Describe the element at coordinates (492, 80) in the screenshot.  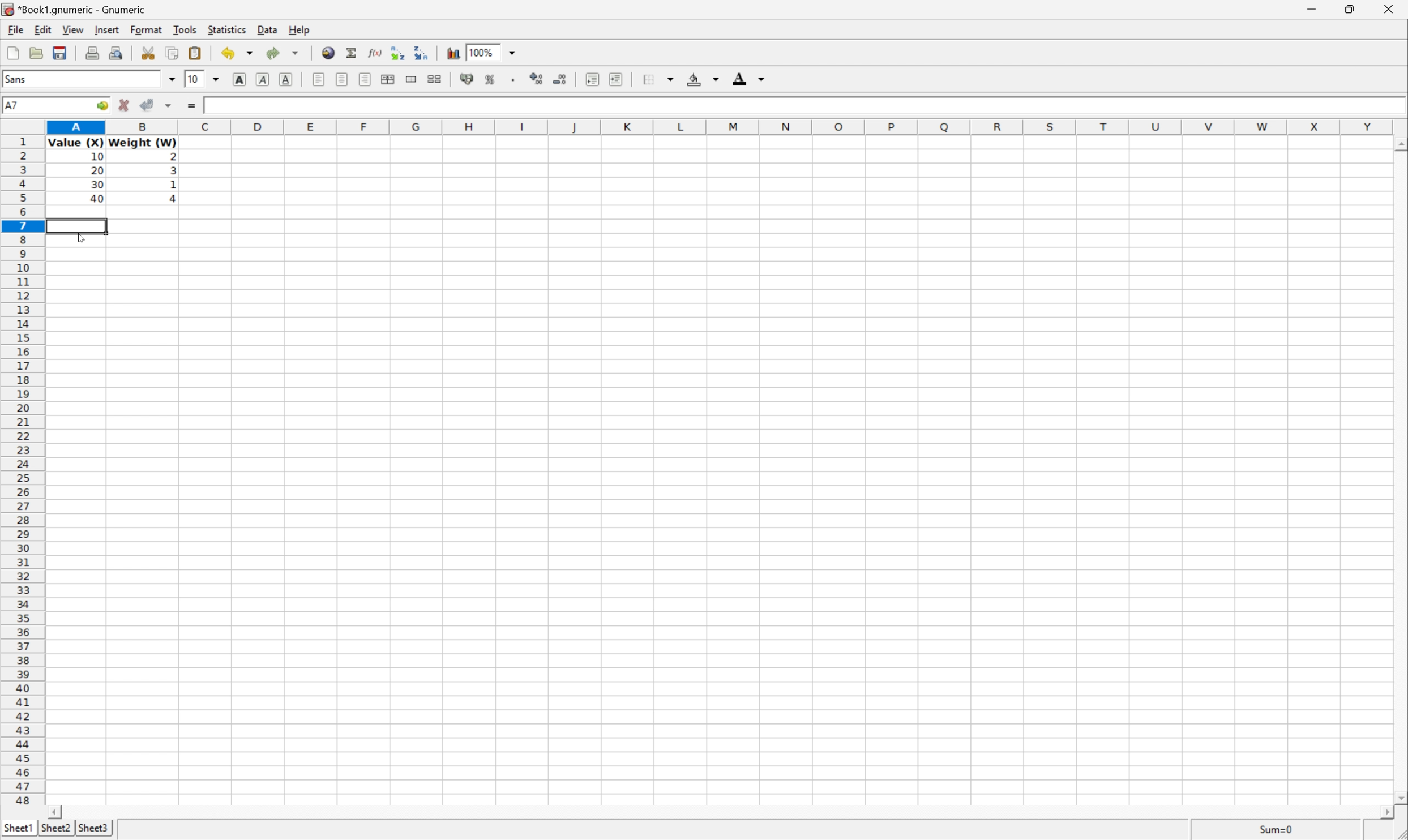
I see `Format selection as percentage` at that location.